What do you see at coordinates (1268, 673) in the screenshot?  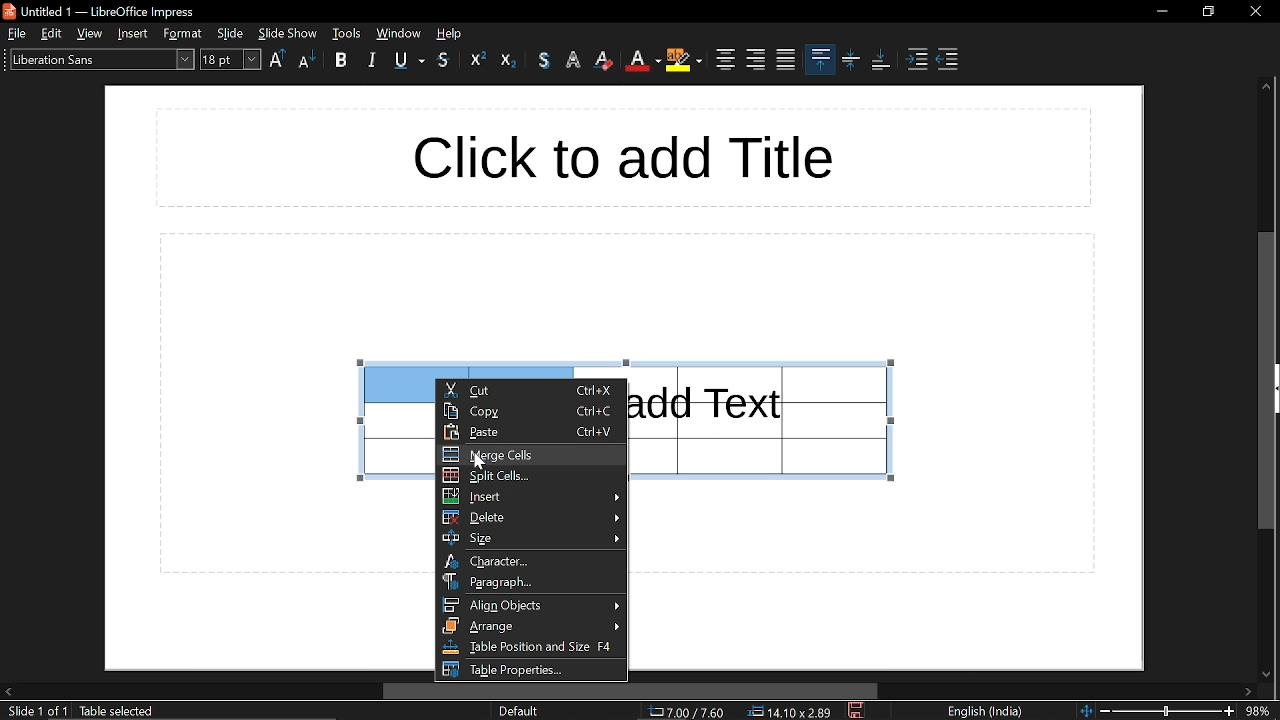 I see `move down` at bounding box center [1268, 673].